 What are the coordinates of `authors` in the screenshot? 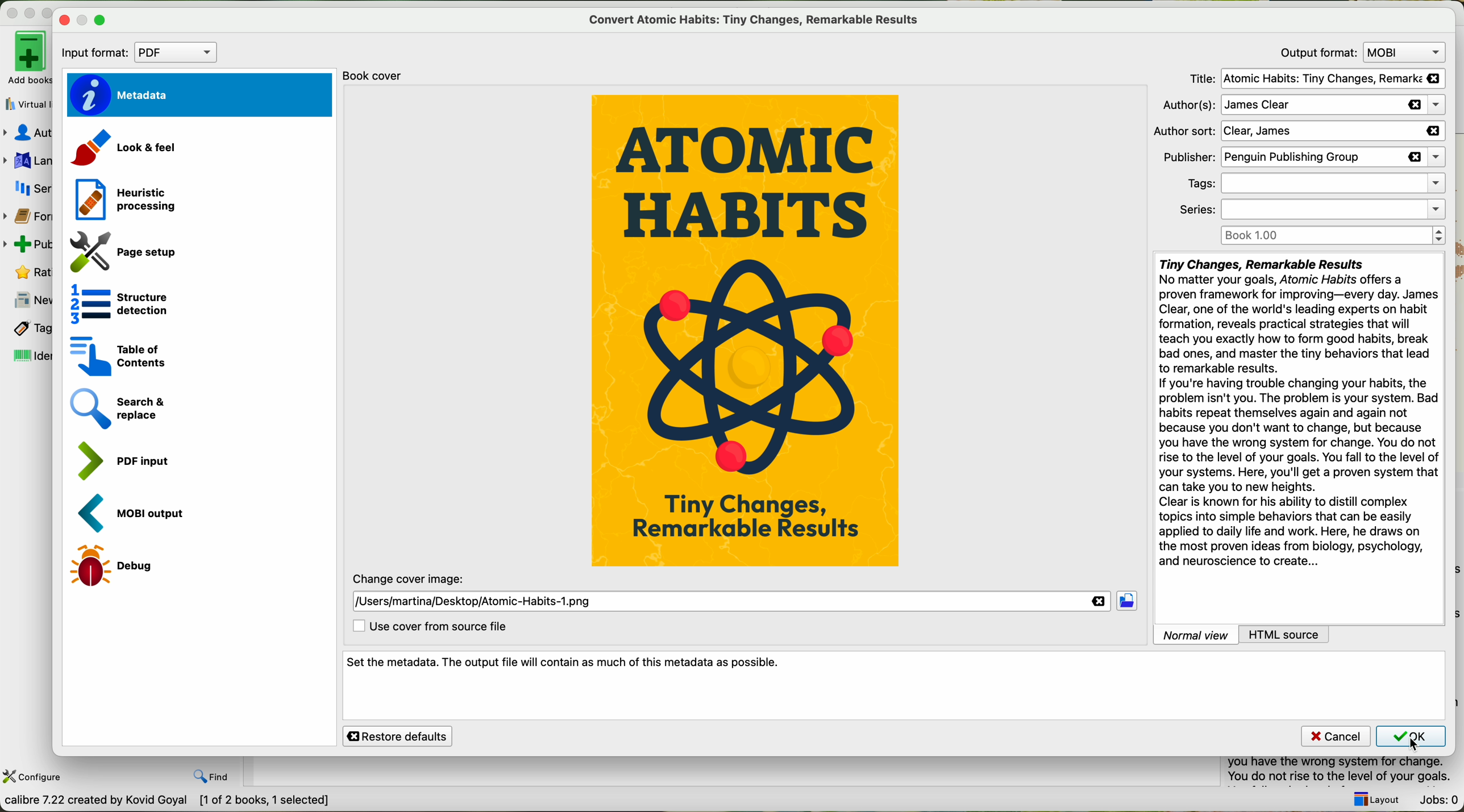 It's located at (27, 132).